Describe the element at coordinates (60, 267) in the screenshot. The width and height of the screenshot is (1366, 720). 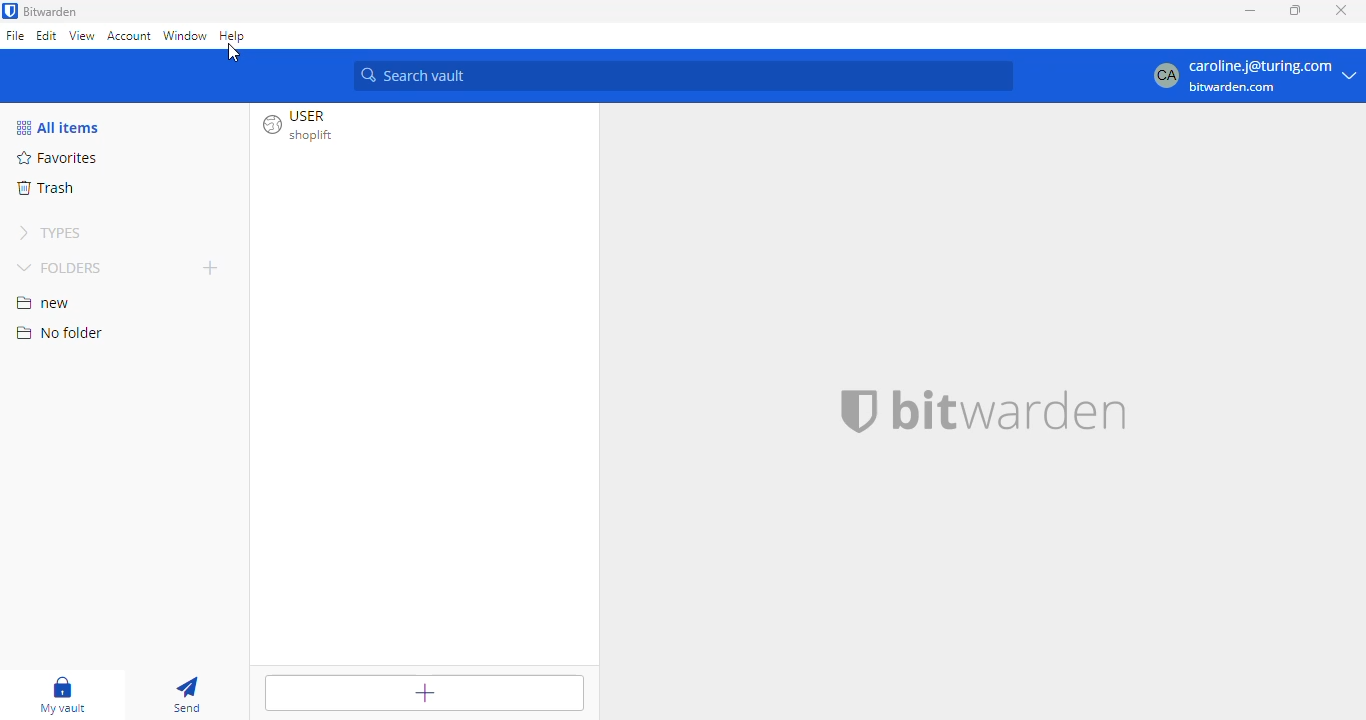
I see `folders` at that location.